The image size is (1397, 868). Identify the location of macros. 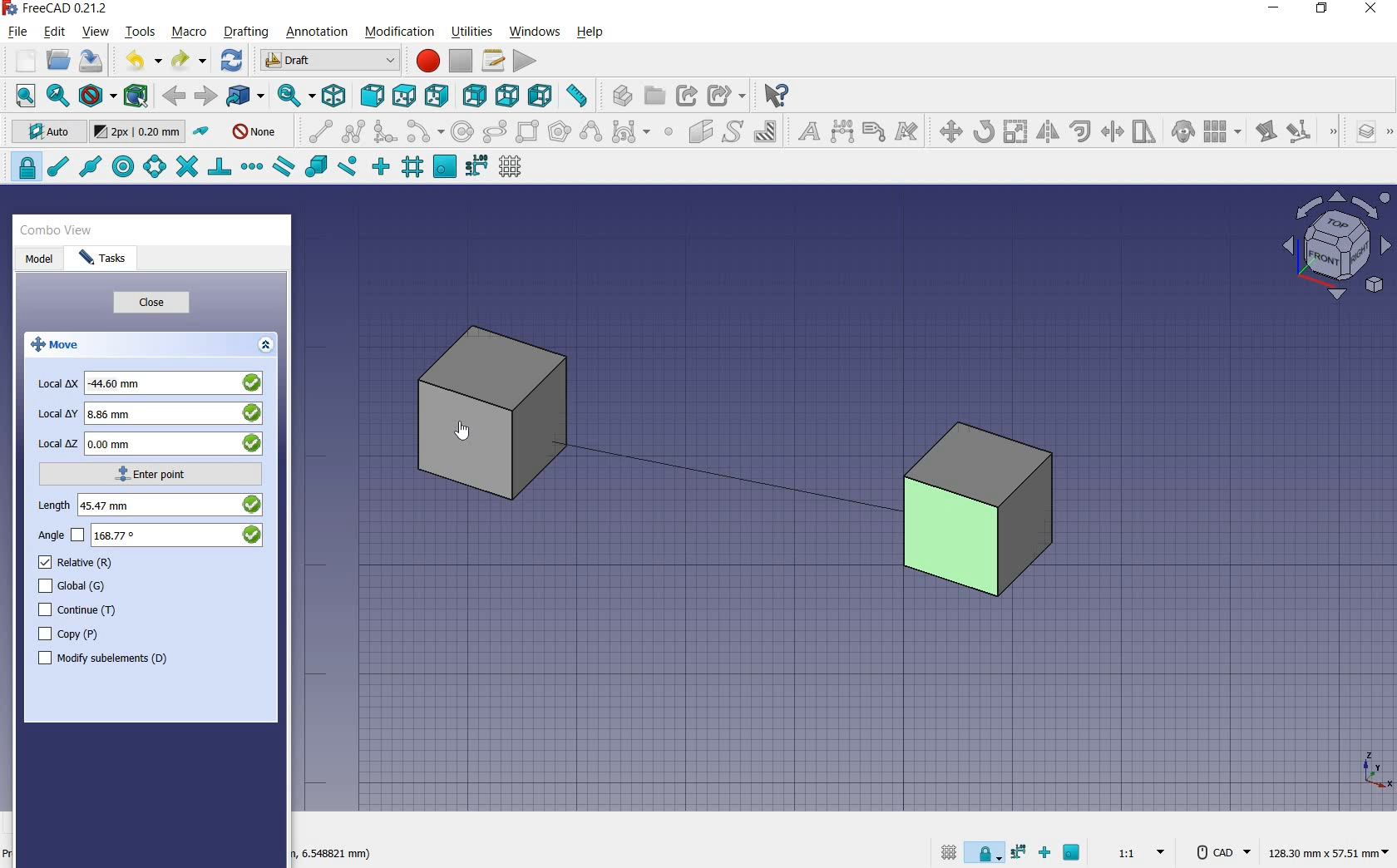
(493, 61).